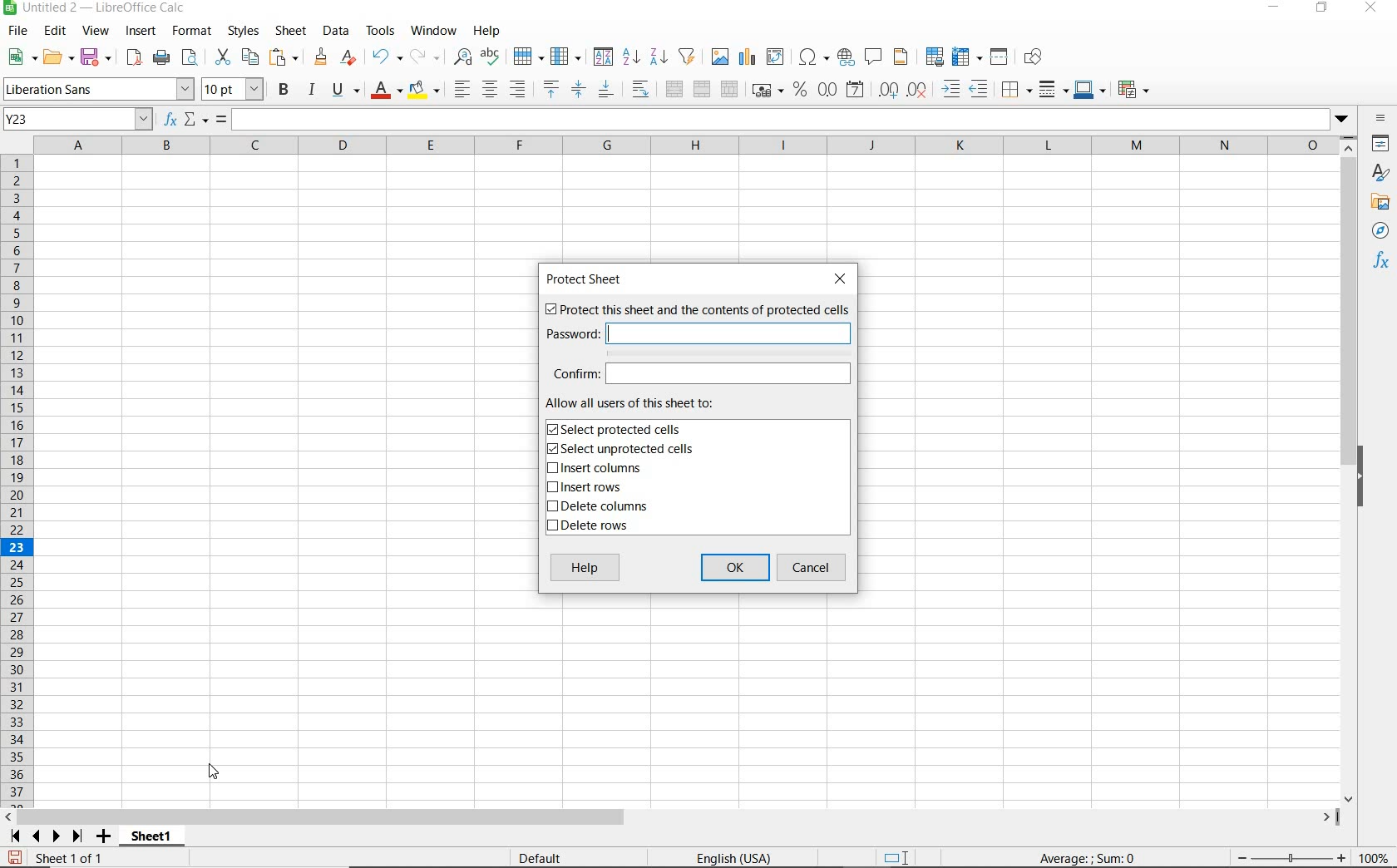  What do you see at coordinates (221, 56) in the screenshot?
I see `CUT` at bounding box center [221, 56].